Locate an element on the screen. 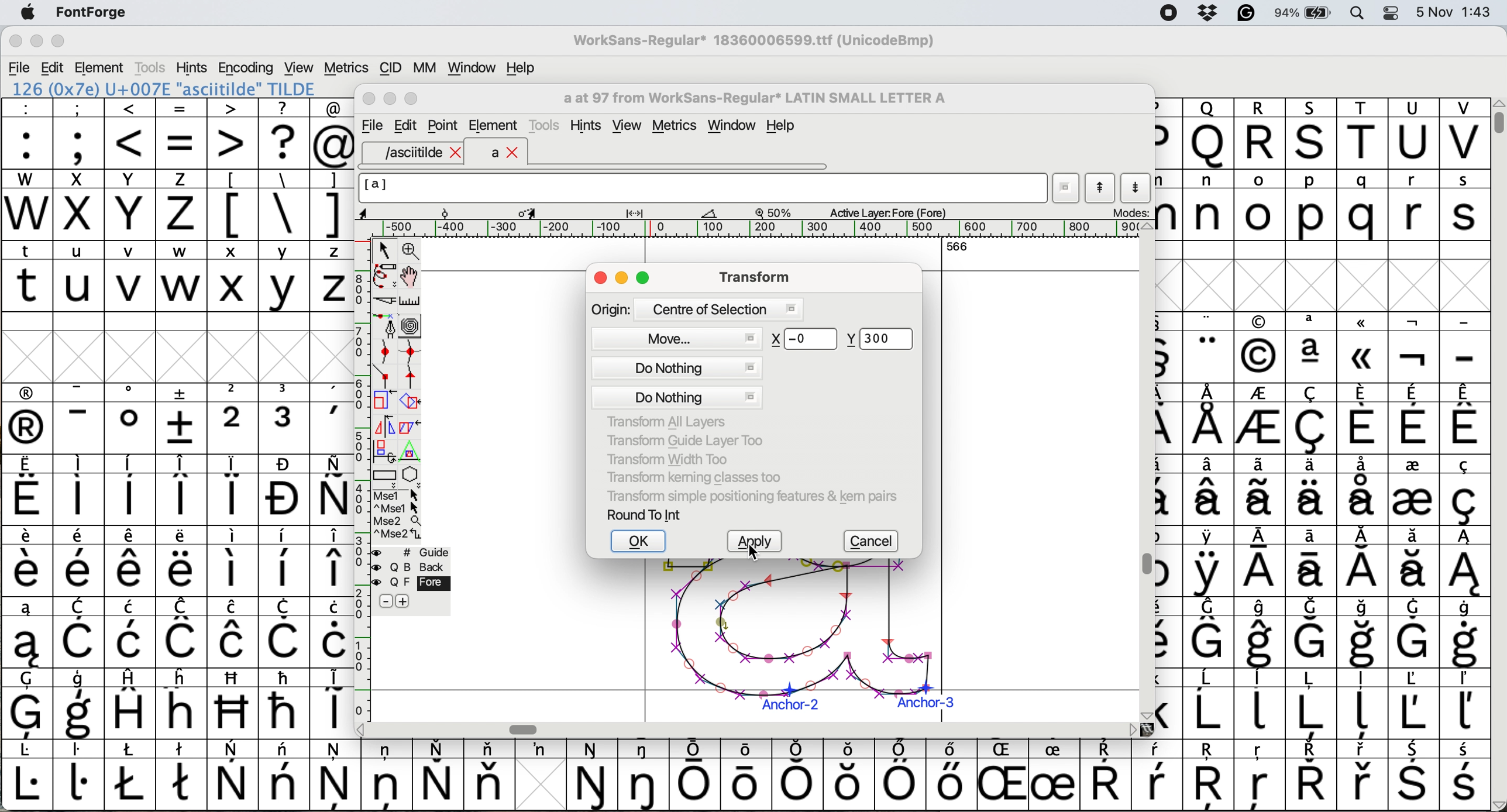  symbol is located at coordinates (1261, 702).